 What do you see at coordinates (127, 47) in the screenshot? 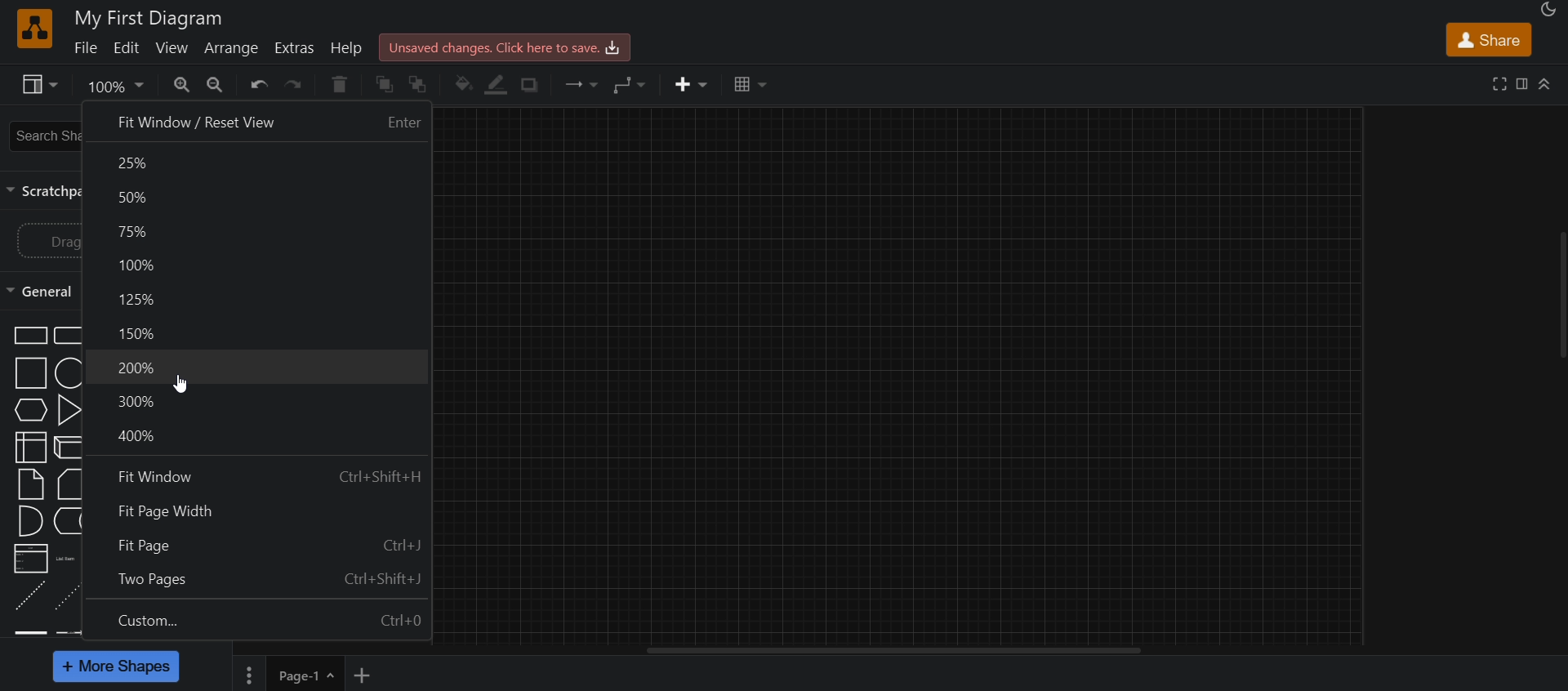
I see `edit` at bounding box center [127, 47].